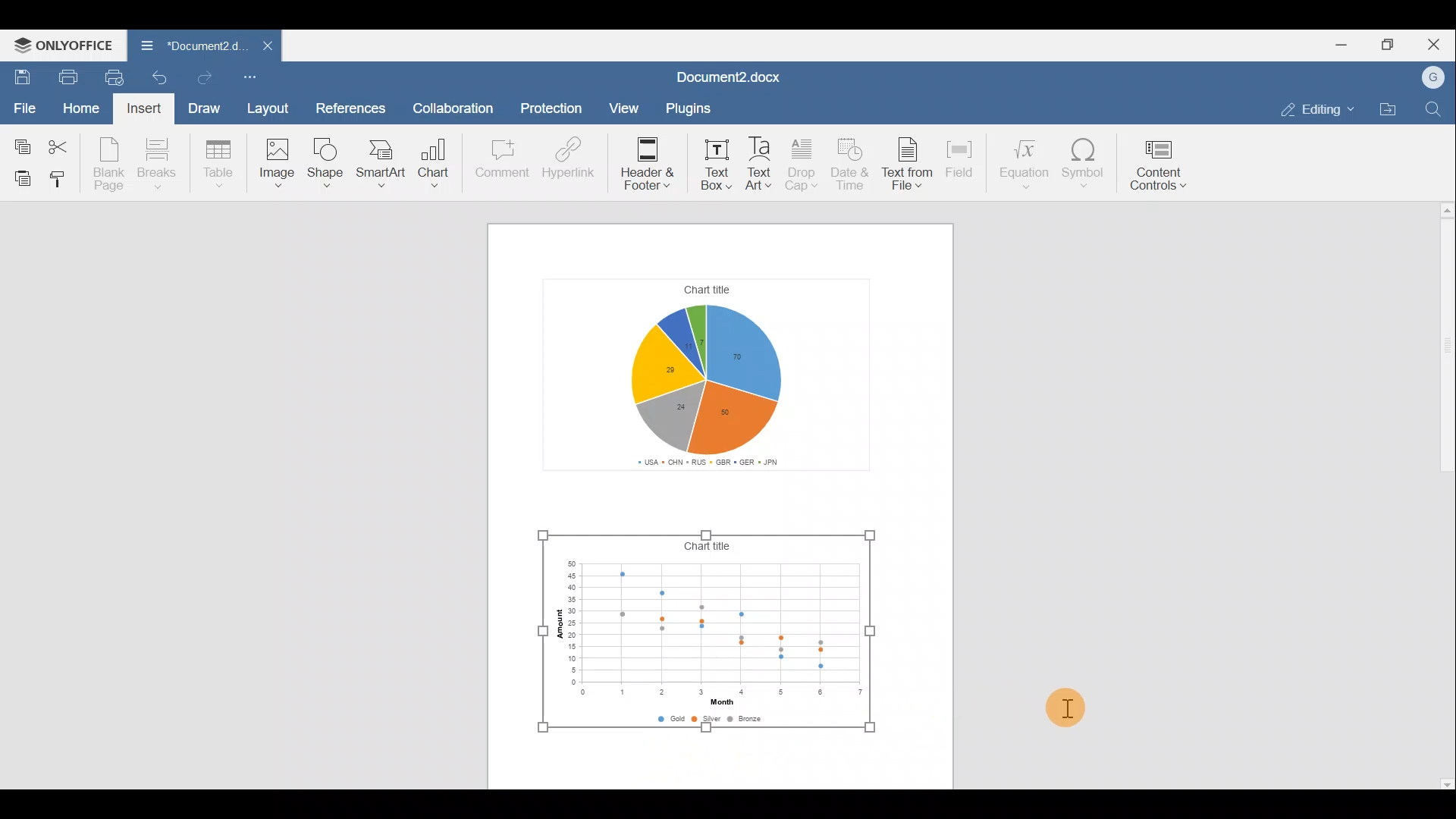 This screenshot has height=819, width=1456. Describe the element at coordinates (552, 105) in the screenshot. I see `Protection` at that location.